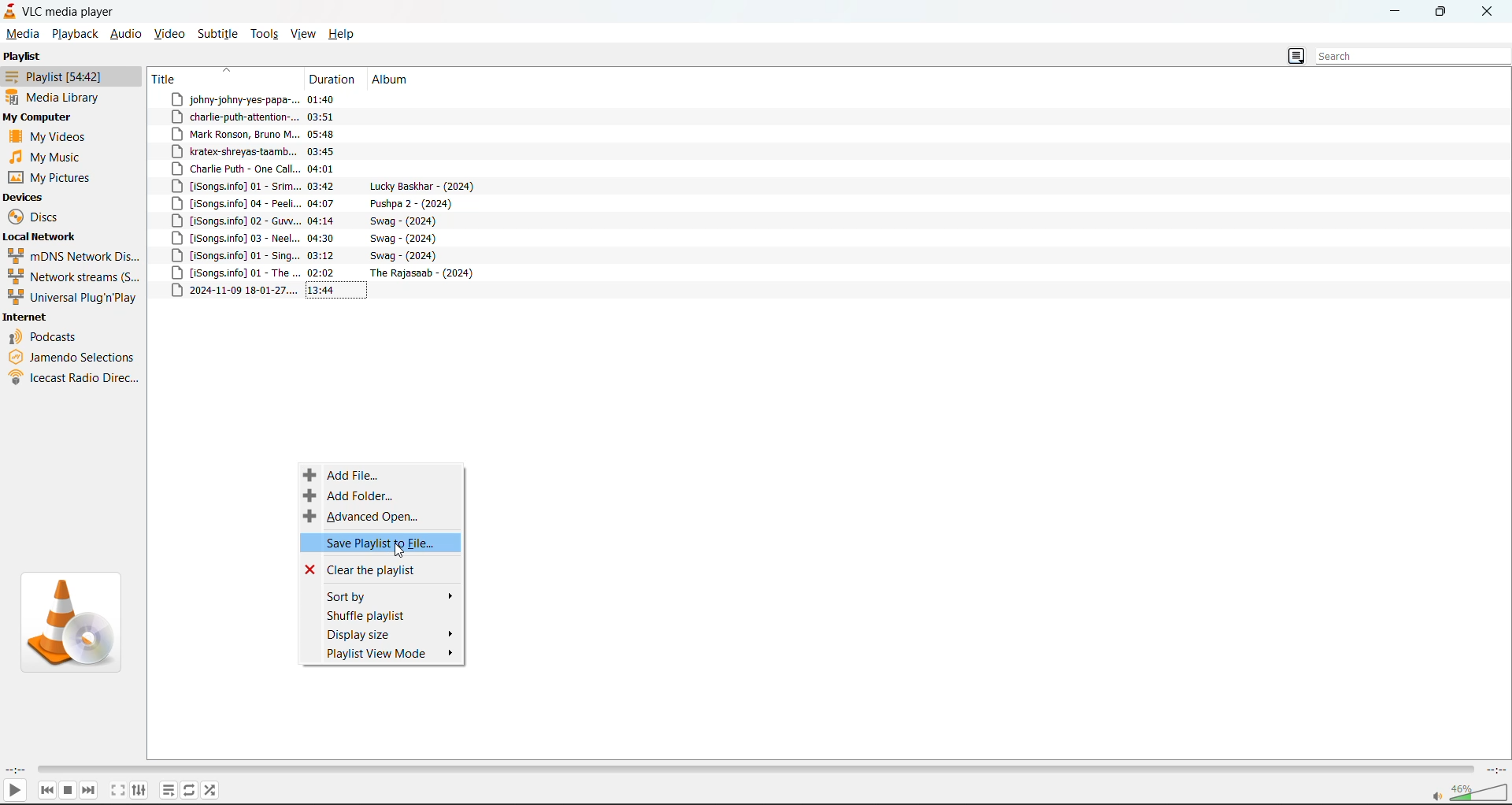 This screenshot has height=805, width=1512. I want to click on change view, so click(1293, 57).